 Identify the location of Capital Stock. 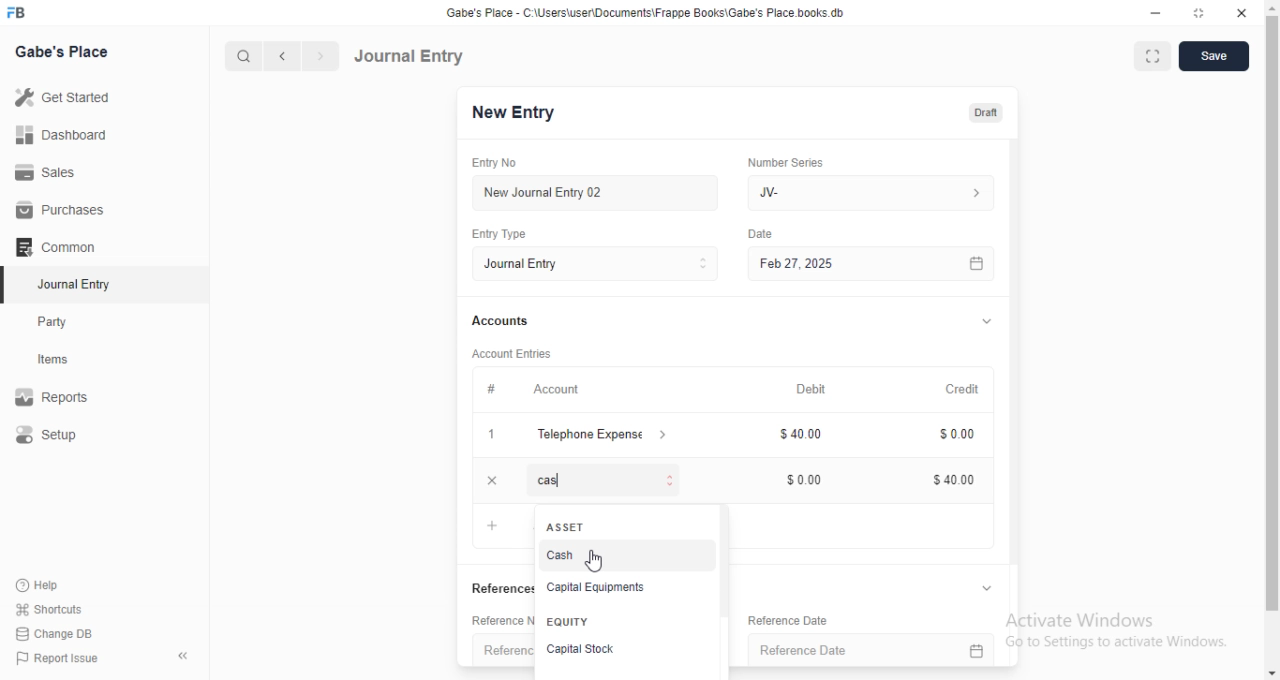
(580, 649).